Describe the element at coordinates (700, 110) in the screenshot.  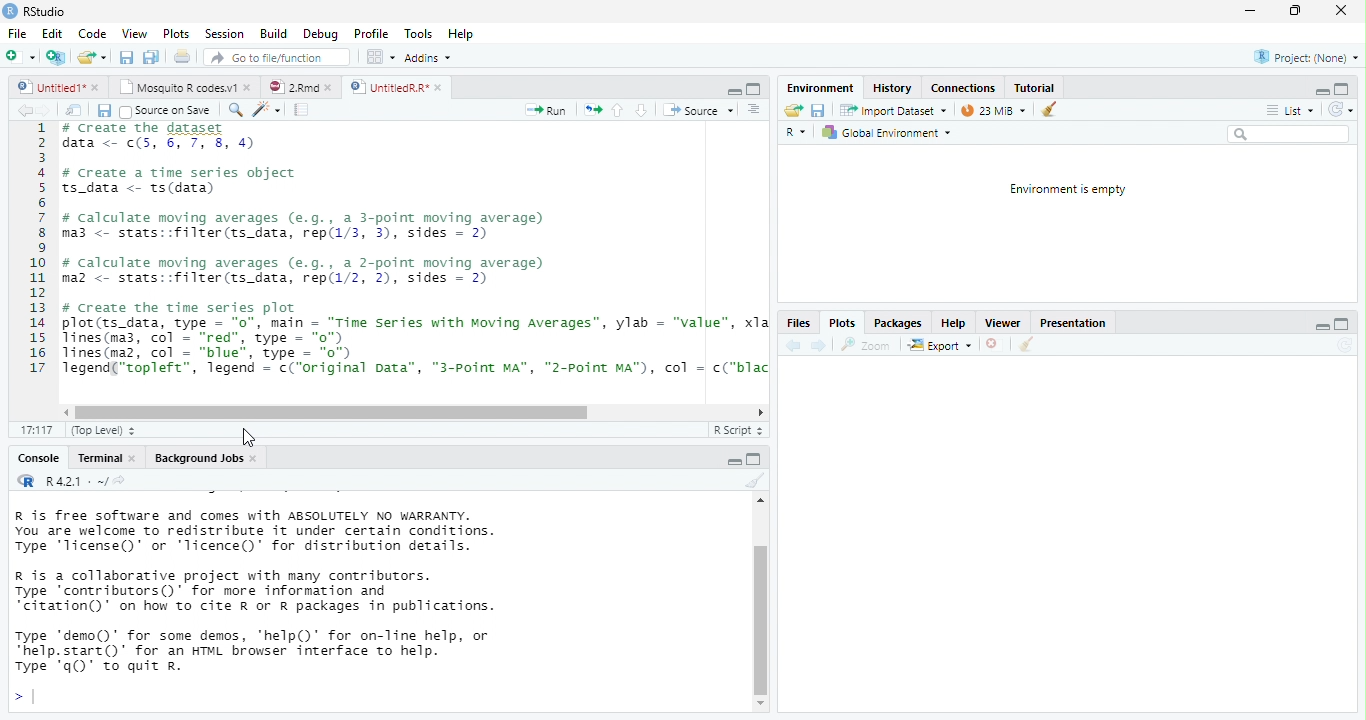
I see `‘Source` at that location.